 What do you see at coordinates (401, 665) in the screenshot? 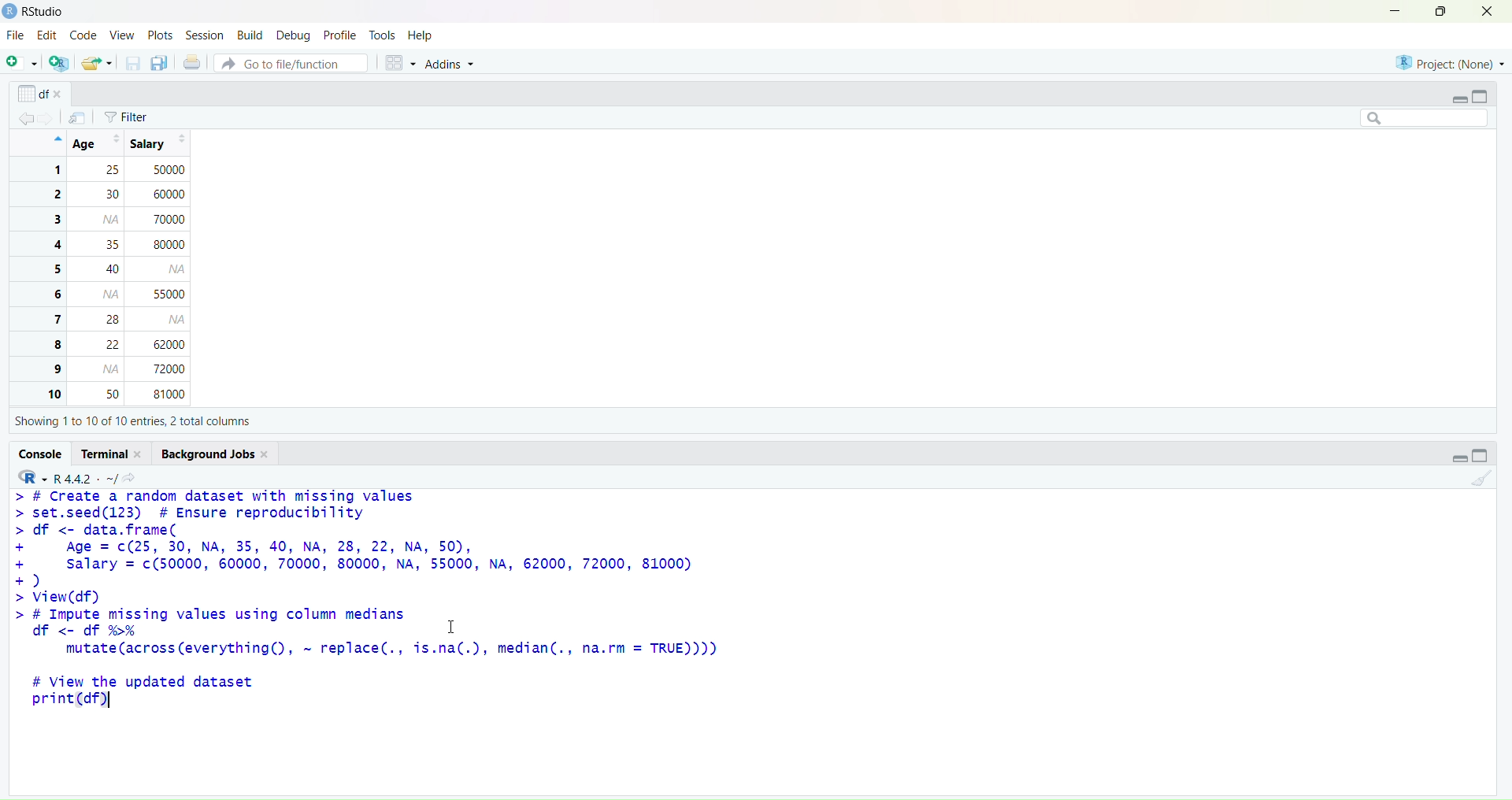
I see `> # Impute missing values using column medians
df <- df %% I
mutate (across (everything(), ~ replace(., is.na(.), median(., na.rm = TRUE))))
# View the updated dataset
print (df)|` at bounding box center [401, 665].